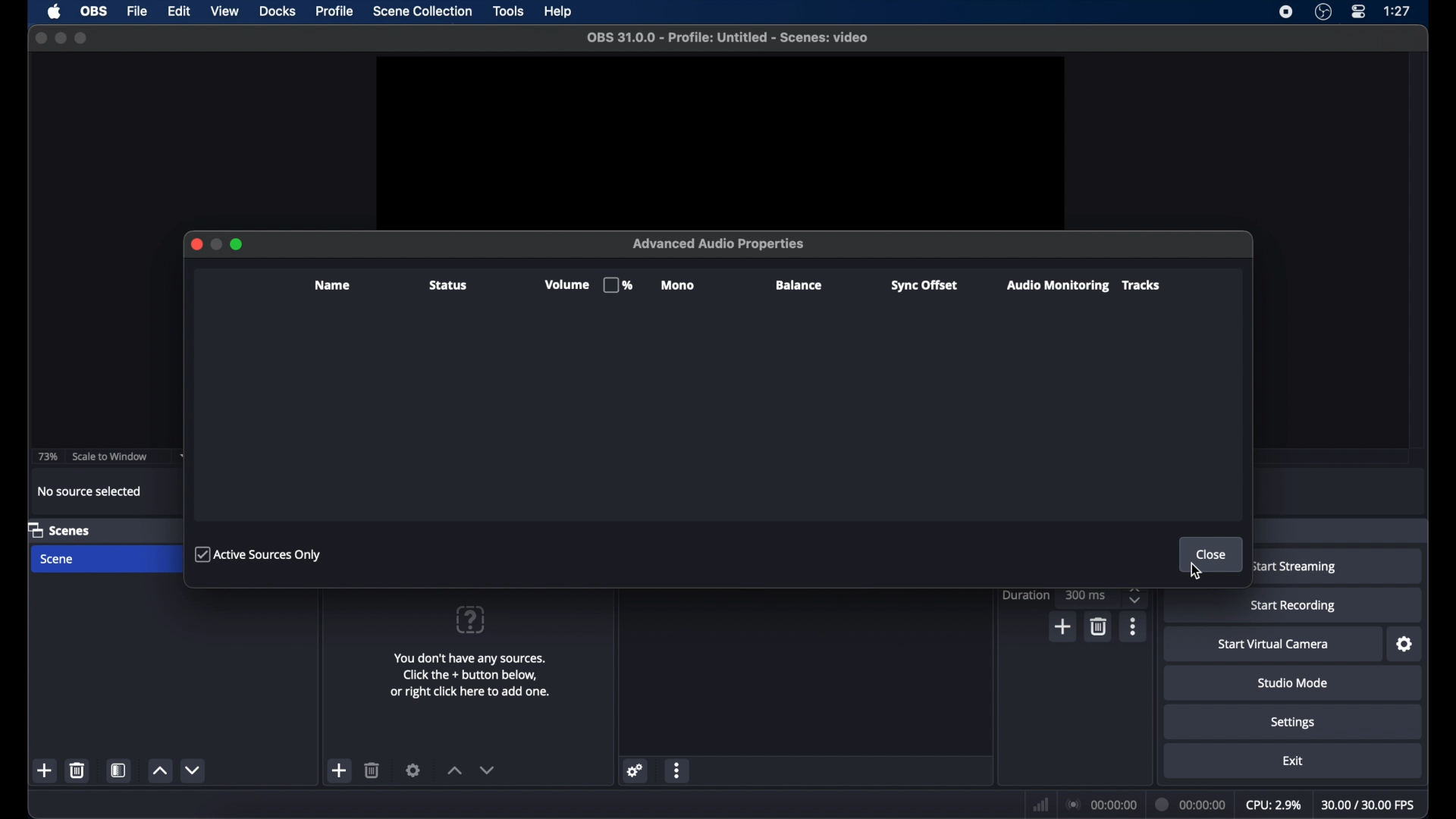 The width and height of the screenshot is (1456, 819). What do you see at coordinates (1191, 805) in the screenshot?
I see `duration` at bounding box center [1191, 805].